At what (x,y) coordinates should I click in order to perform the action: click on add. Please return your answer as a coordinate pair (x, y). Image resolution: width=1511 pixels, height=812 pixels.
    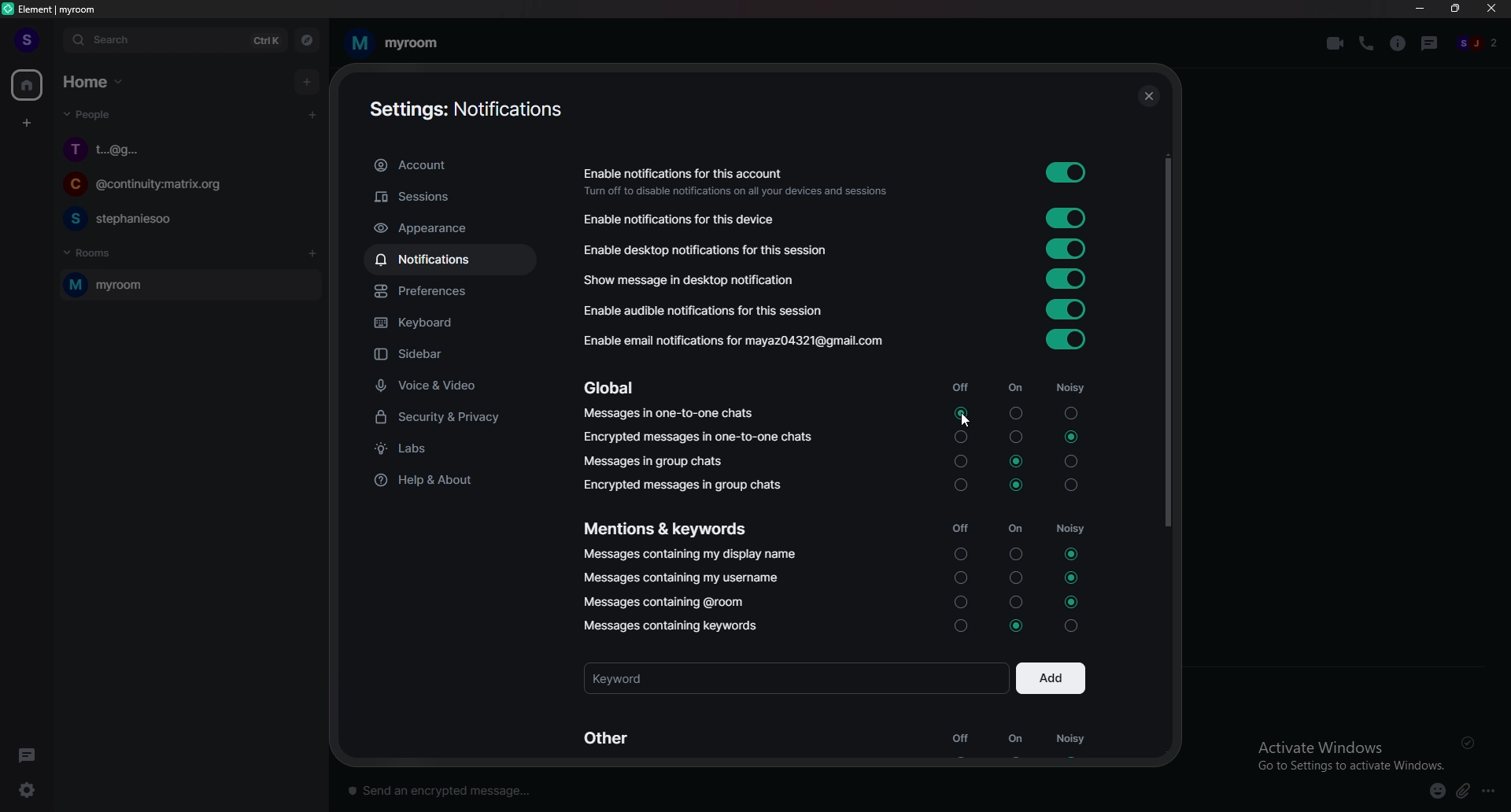
    Looking at the image, I should click on (1051, 677).